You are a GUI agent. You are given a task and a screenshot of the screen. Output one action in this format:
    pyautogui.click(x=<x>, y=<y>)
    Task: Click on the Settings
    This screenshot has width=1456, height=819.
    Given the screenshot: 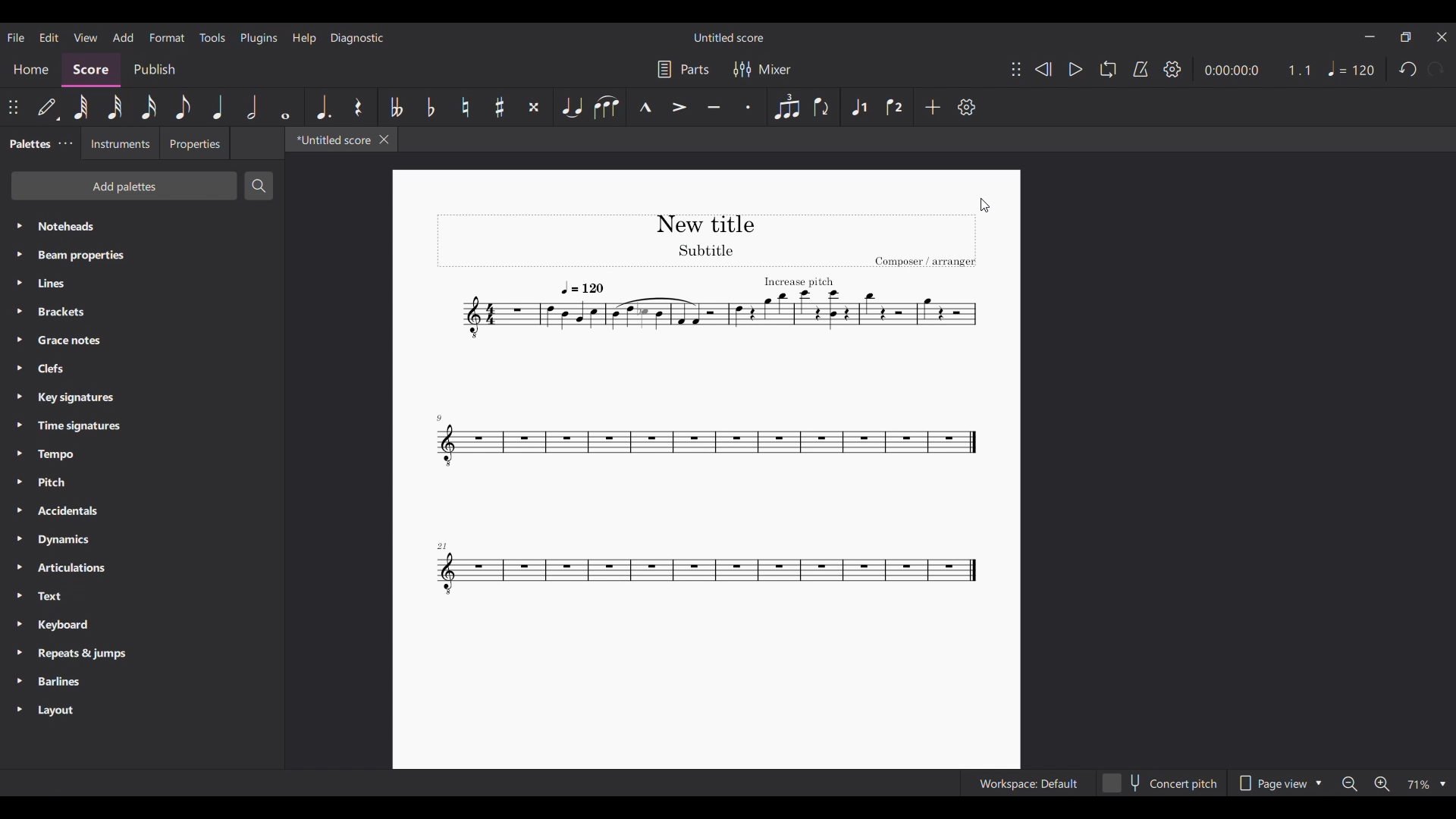 What is the action you would take?
    pyautogui.click(x=966, y=107)
    